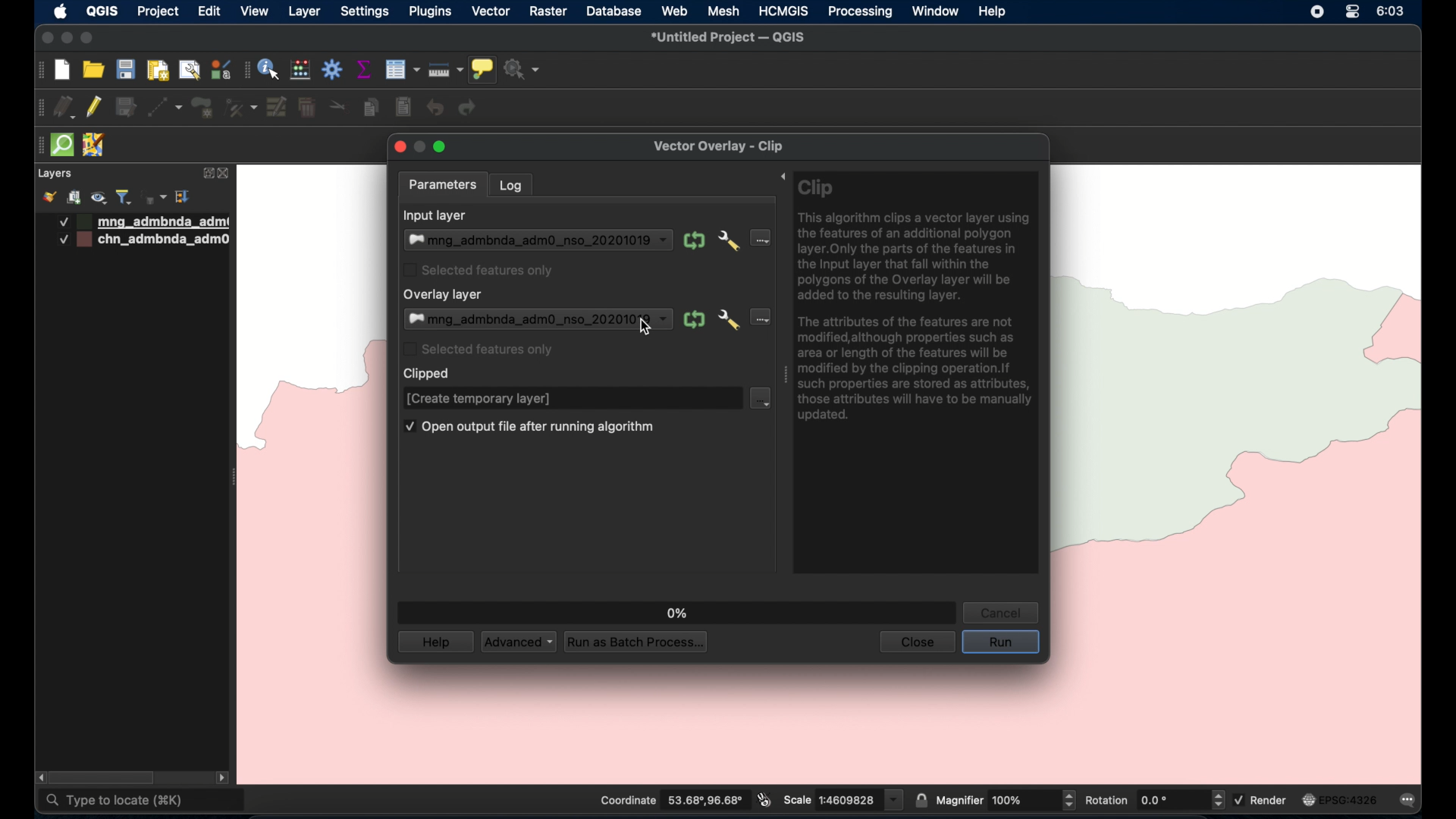 This screenshot has height=819, width=1456. Describe the element at coordinates (100, 198) in the screenshot. I see `manage map theme` at that location.